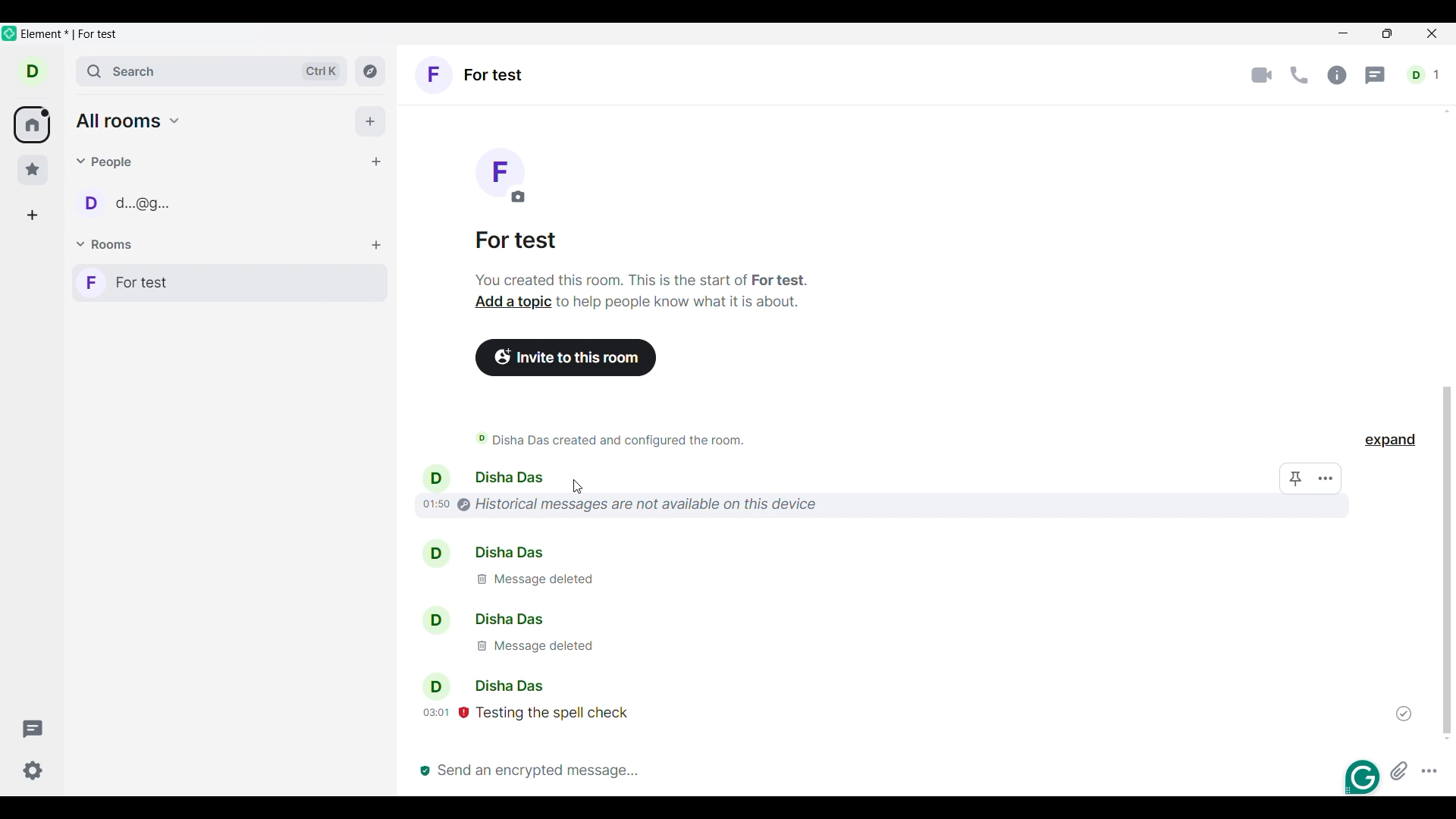  Describe the element at coordinates (578, 487) in the screenshot. I see `Cursor` at that location.